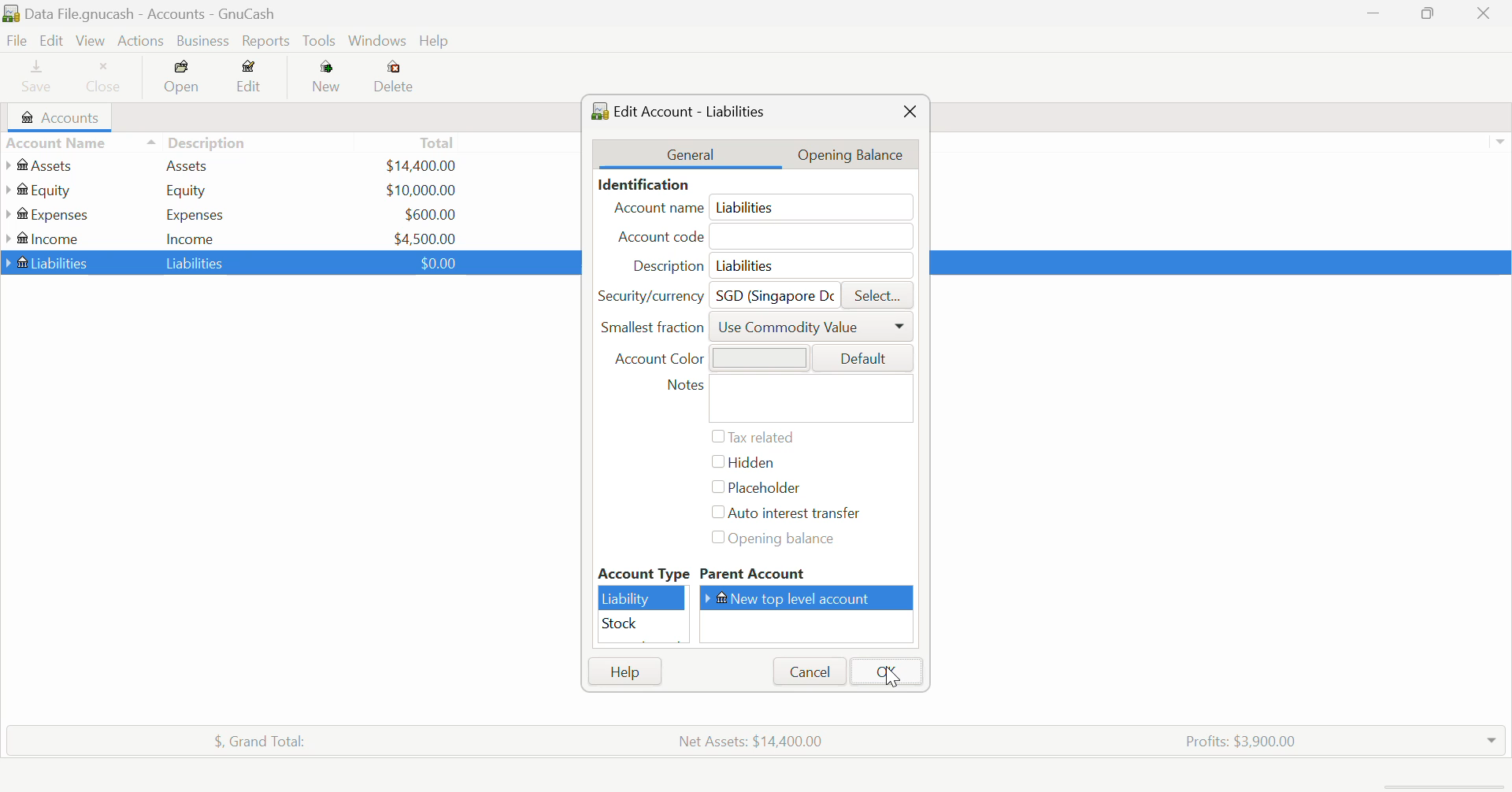  I want to click on Total, so click(251, 738).